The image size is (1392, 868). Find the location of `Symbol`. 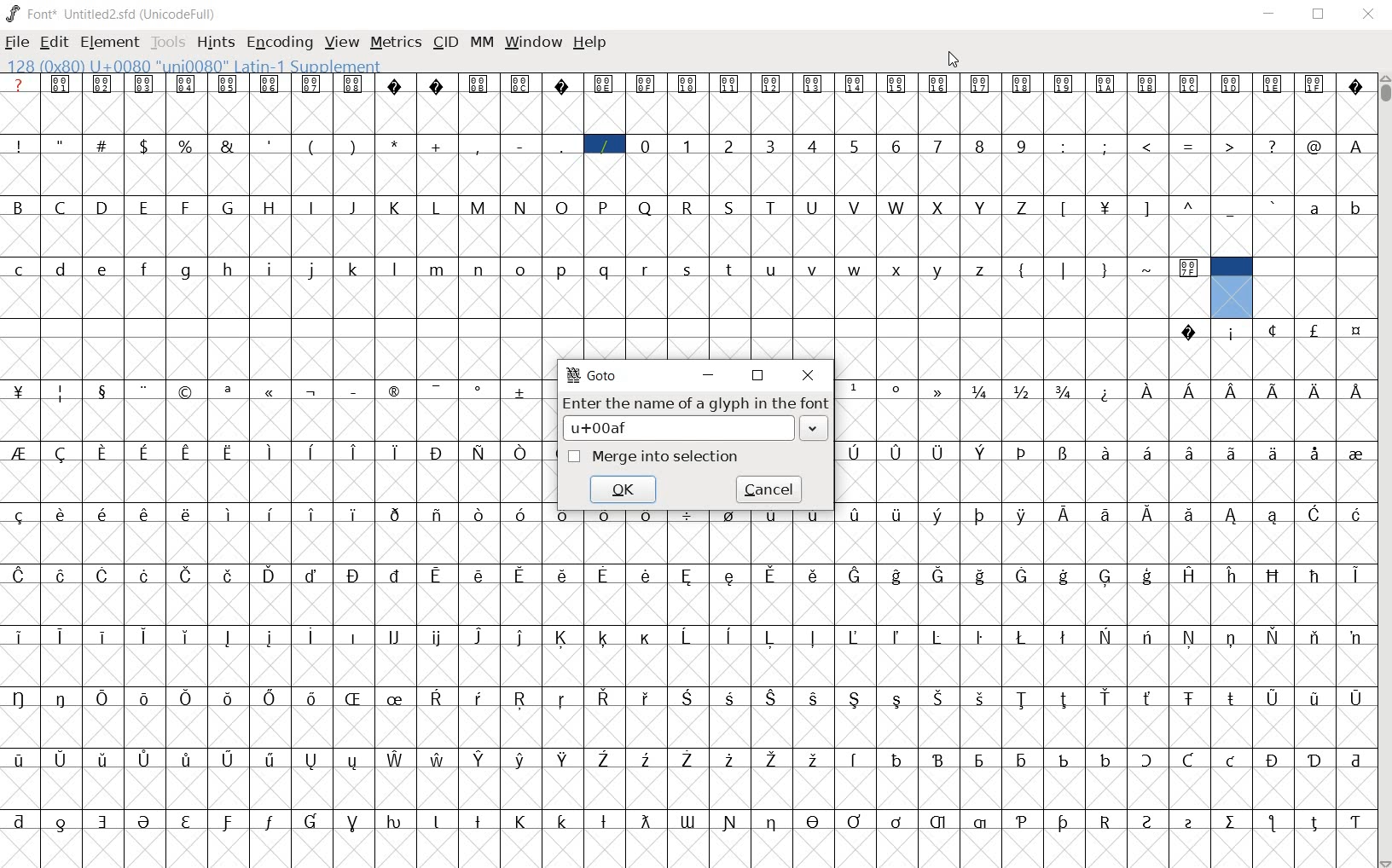

Symbol is located at coordinates (816, 697).